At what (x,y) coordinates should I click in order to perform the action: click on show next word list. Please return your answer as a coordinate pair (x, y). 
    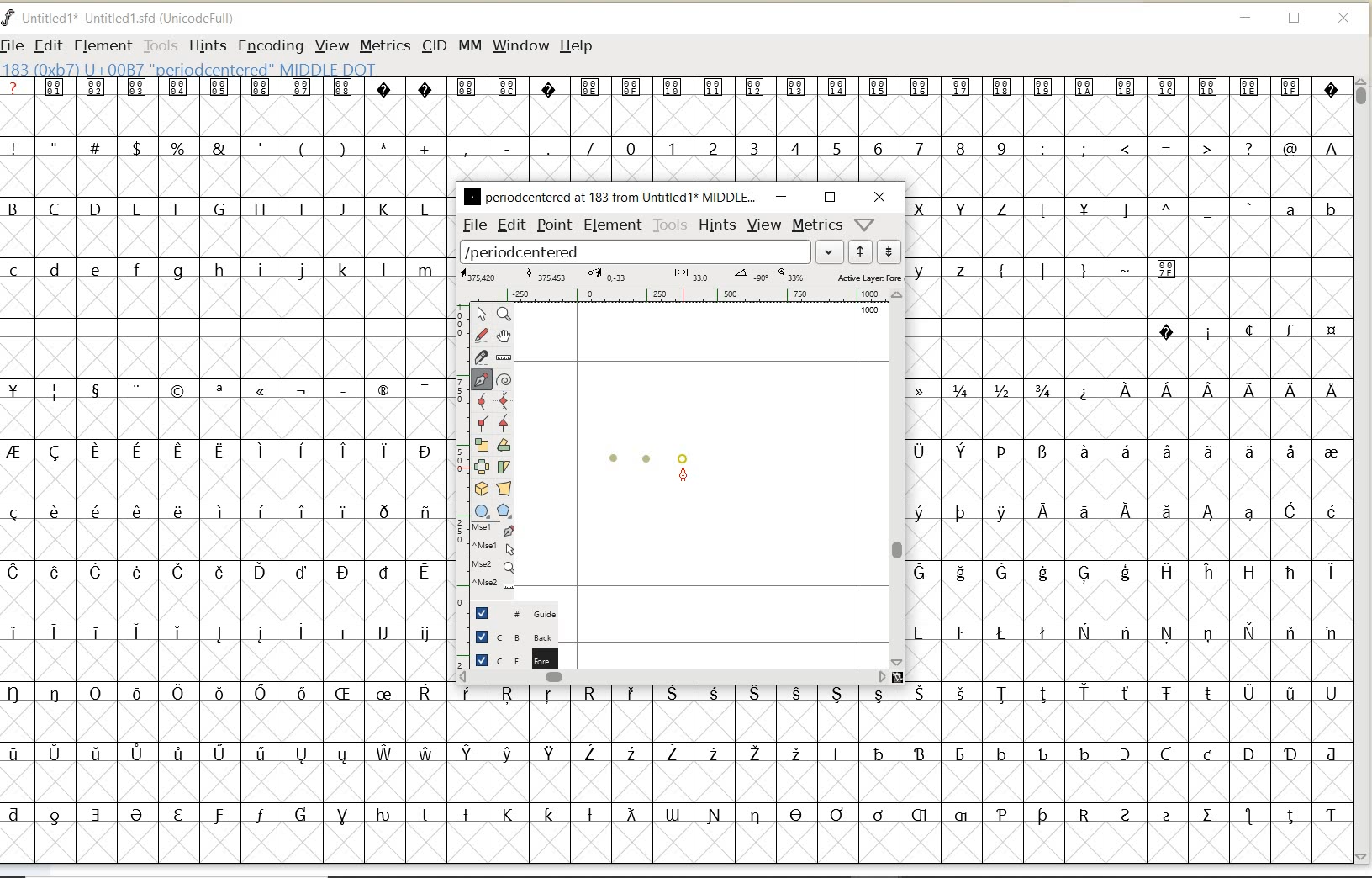
    Looking at the image, I should click on (891, 252).